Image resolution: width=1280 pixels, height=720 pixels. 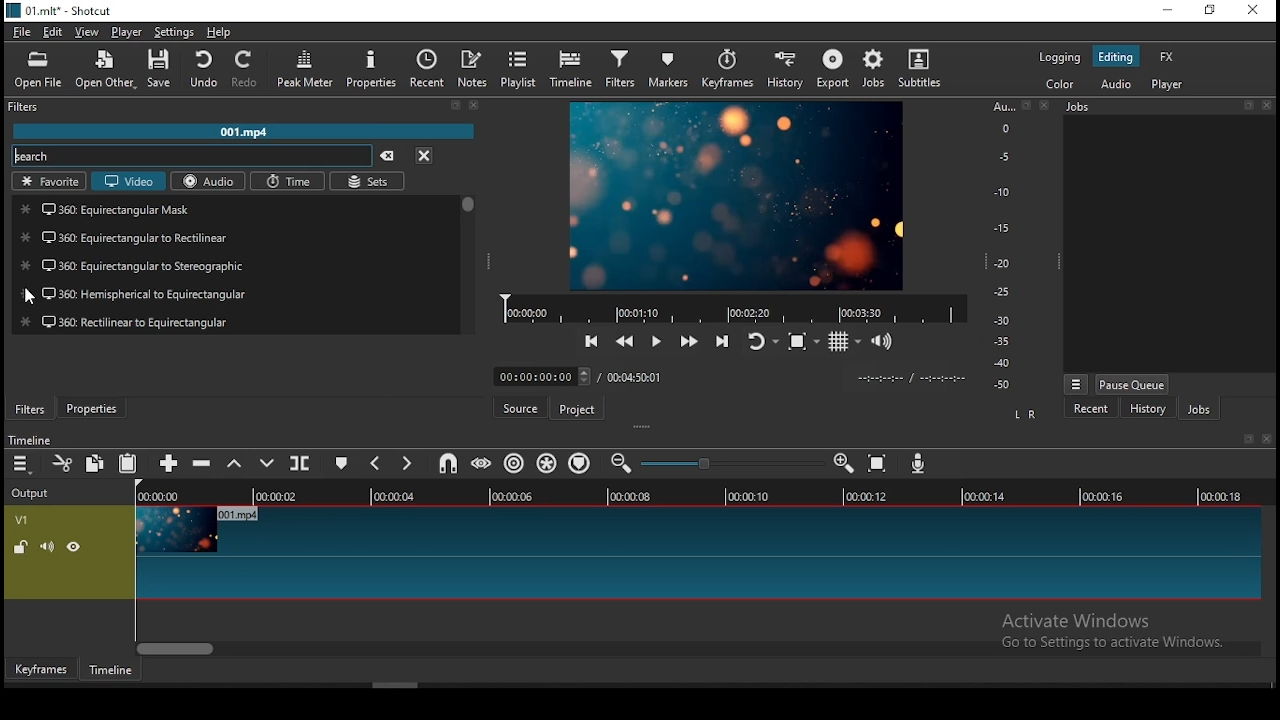 I want to click on clear search, so click(x=391, y=154).